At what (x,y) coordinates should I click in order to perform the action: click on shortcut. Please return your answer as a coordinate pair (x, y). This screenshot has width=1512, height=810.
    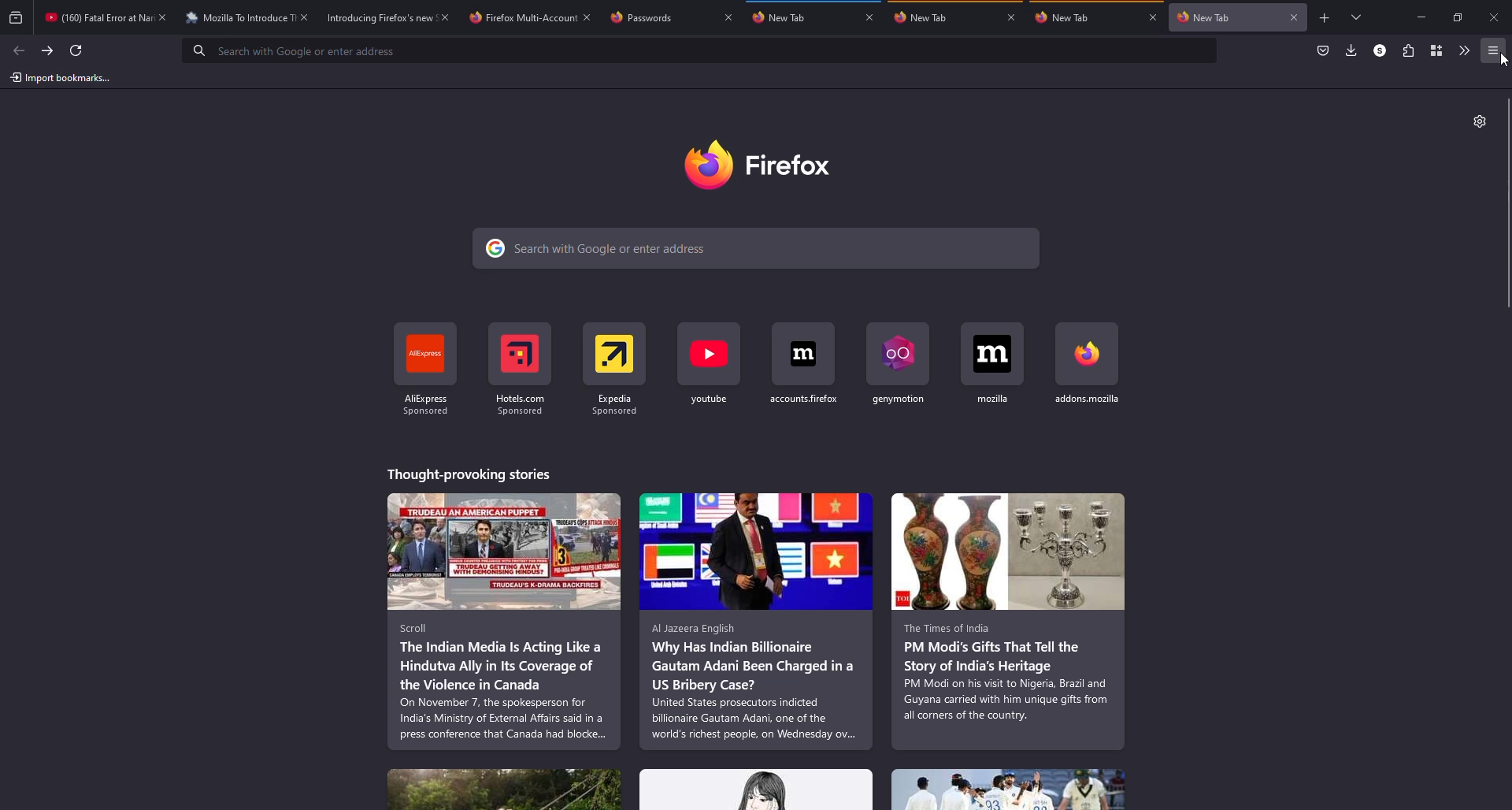
    Looking at the image, I should click on (710, 368).